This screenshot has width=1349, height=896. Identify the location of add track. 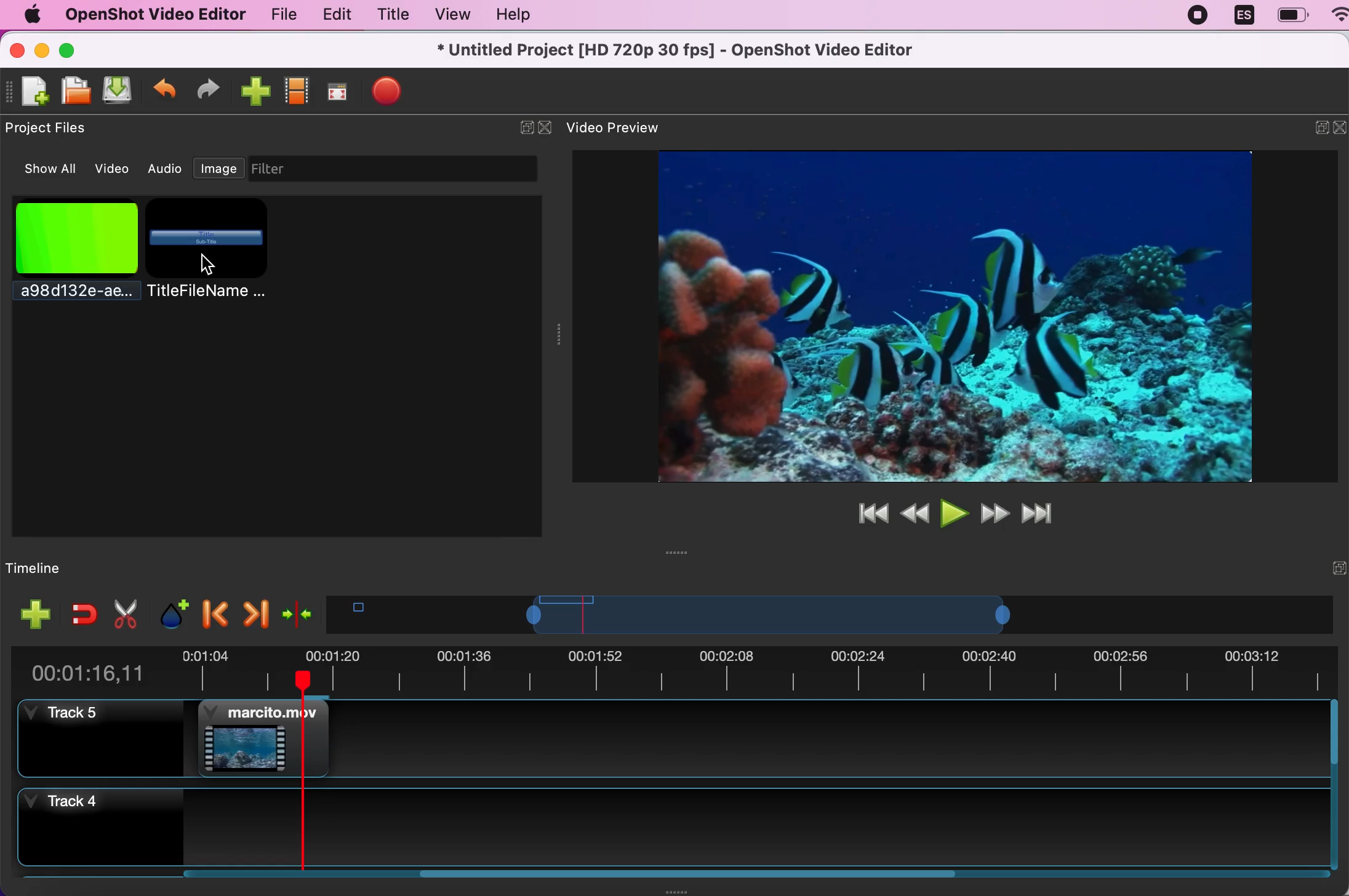
(33, 614).